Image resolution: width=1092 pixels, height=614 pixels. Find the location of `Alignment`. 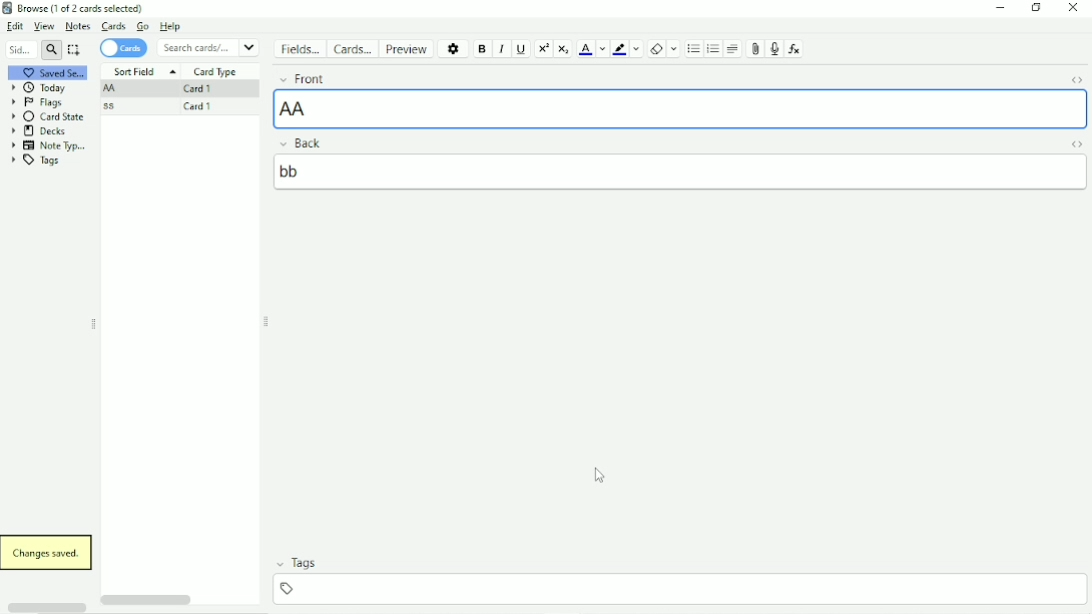

Alignment is located at coordinates (734, 49).